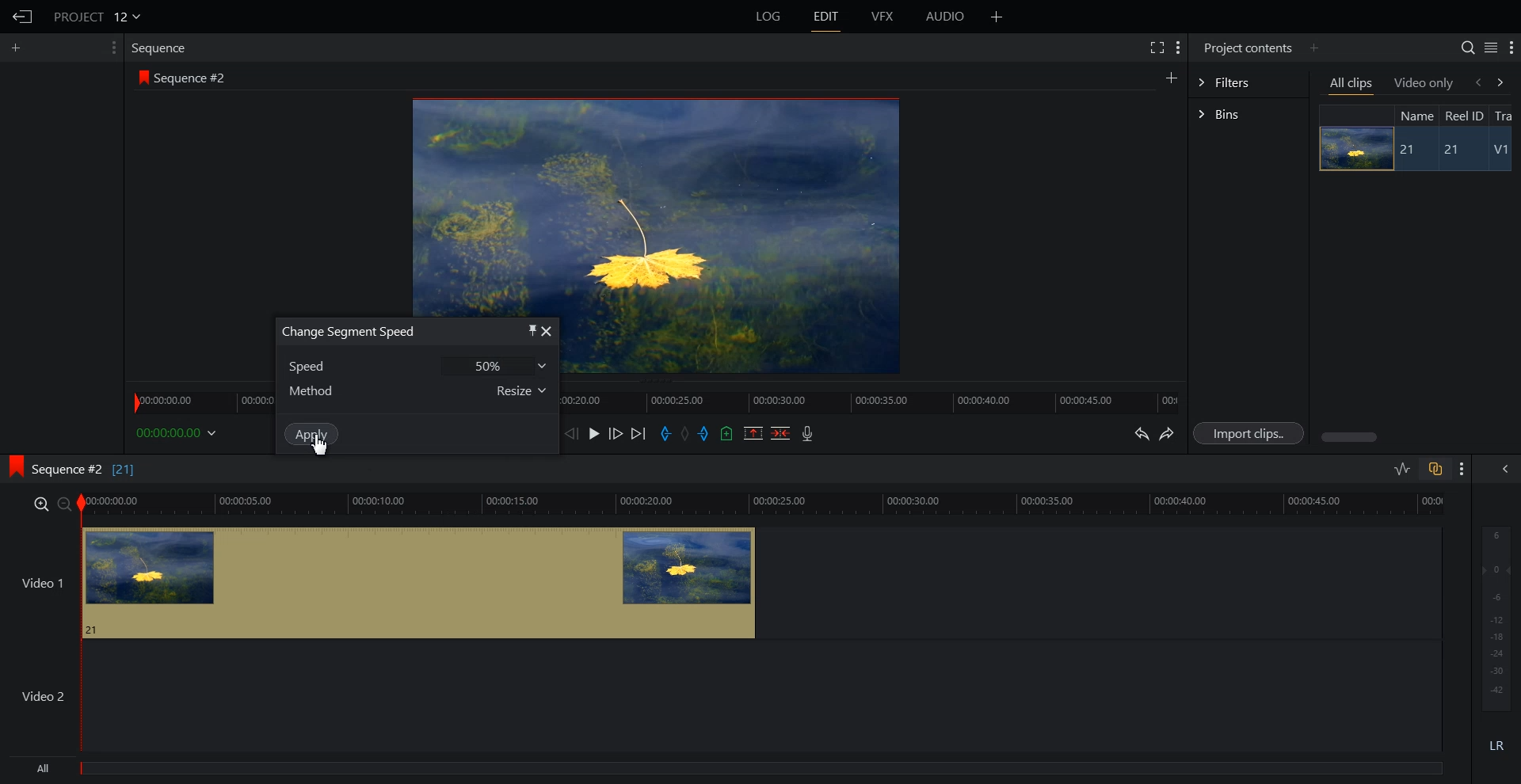  What do you see at coordinates (1463, 116) in the screenshot?
I see `Reel ID` at bounding box center [1463, 116].